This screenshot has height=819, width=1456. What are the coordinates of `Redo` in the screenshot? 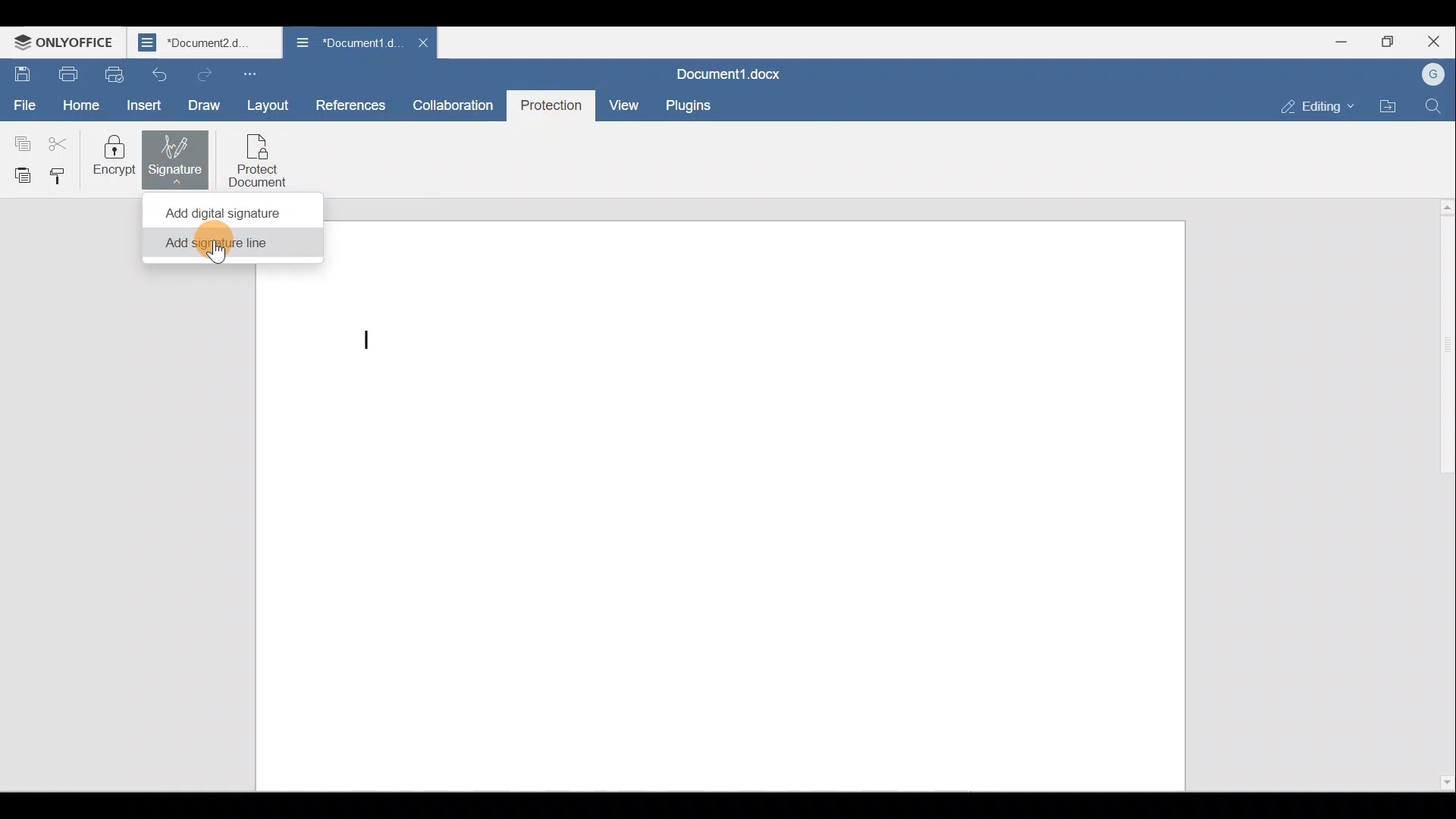 It's located at (202, 74).